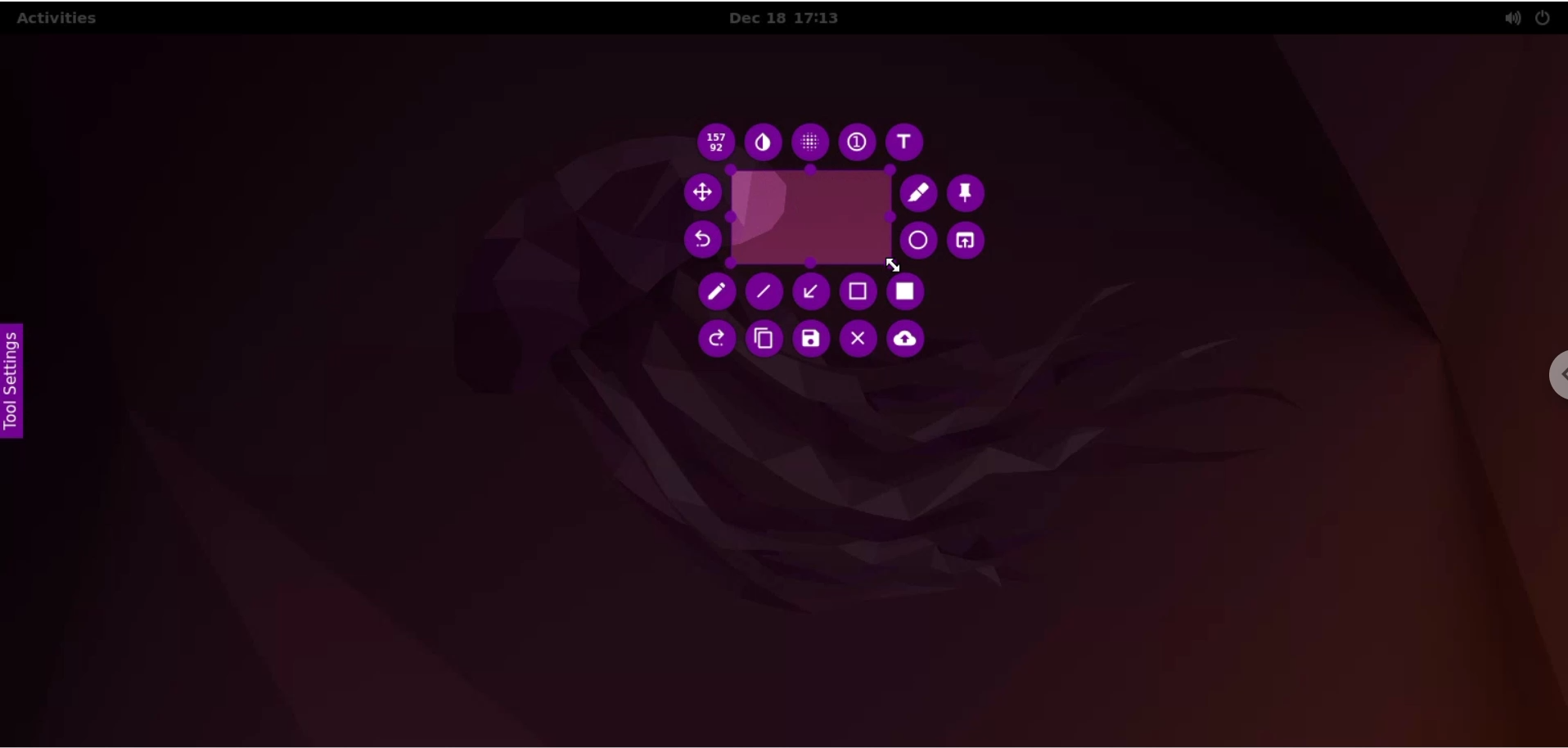  What do you see at coordinates (969, 193) in the screenshot?
I see `pin` at bounding box center [969, 193].